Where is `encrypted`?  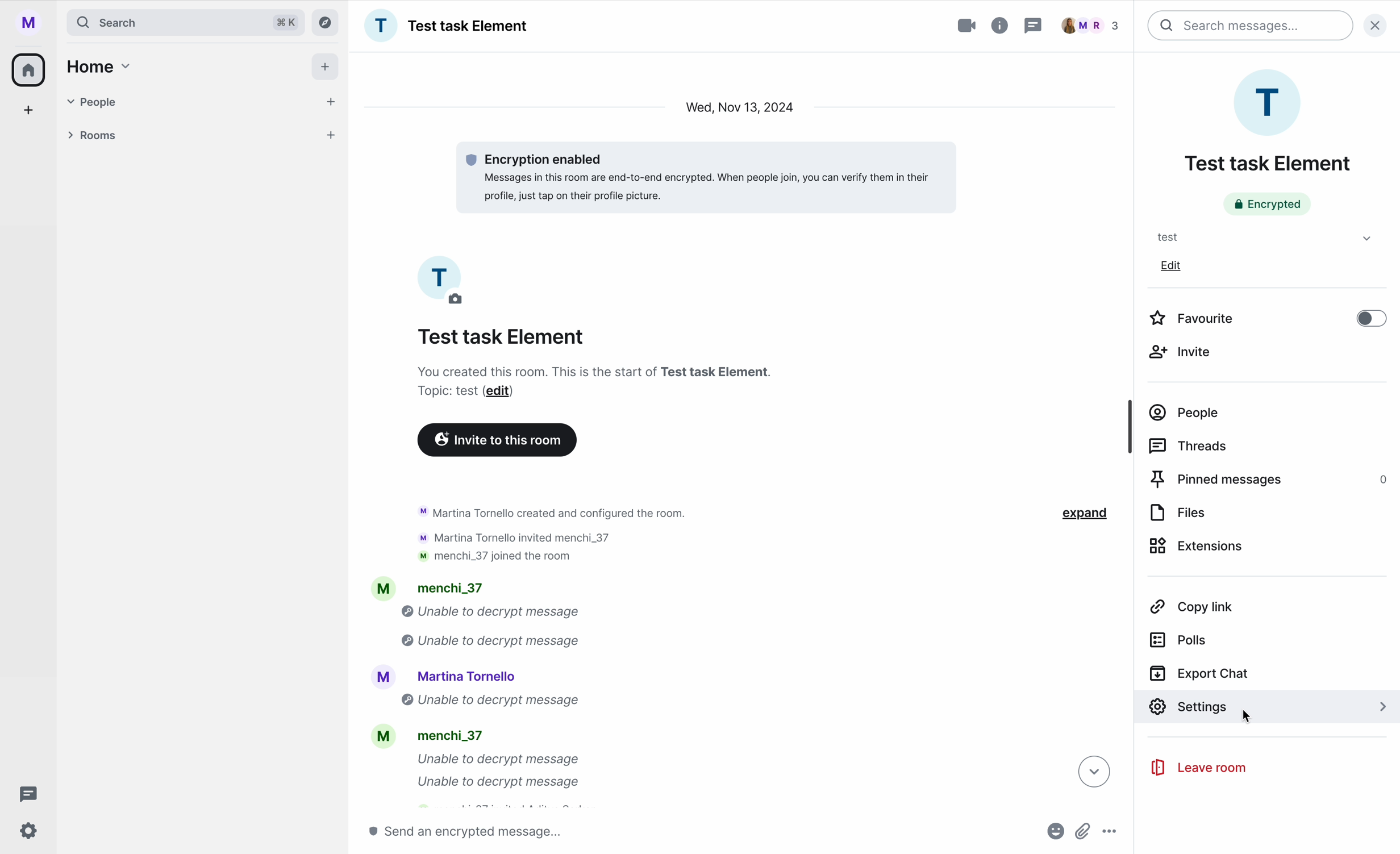 encrypted is located at coordinates (1267, 204).